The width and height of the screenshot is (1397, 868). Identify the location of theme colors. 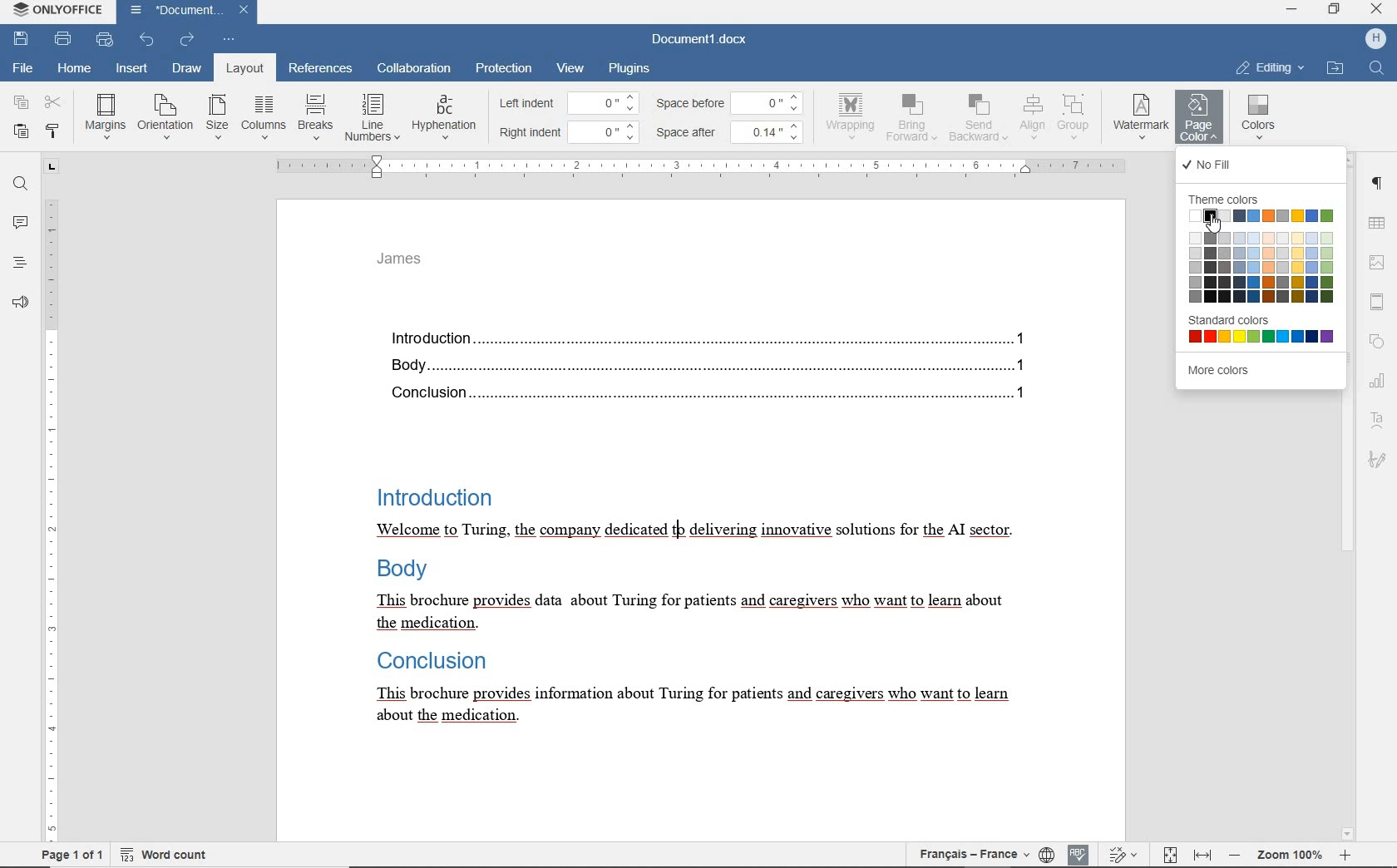
(1256, 248).